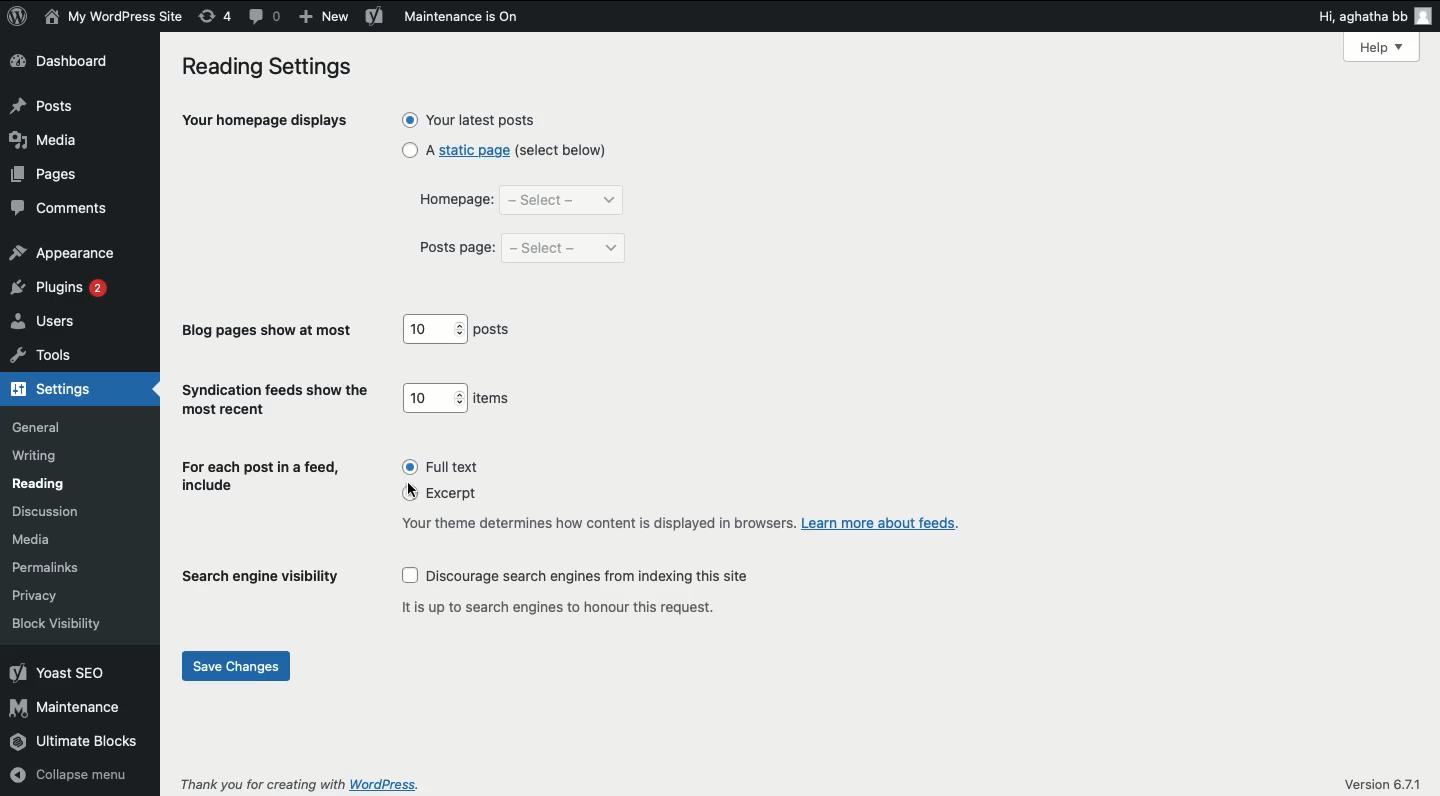 The height and width of the screenshot is (796, 1440). I want to click on media, so click(31, 540).